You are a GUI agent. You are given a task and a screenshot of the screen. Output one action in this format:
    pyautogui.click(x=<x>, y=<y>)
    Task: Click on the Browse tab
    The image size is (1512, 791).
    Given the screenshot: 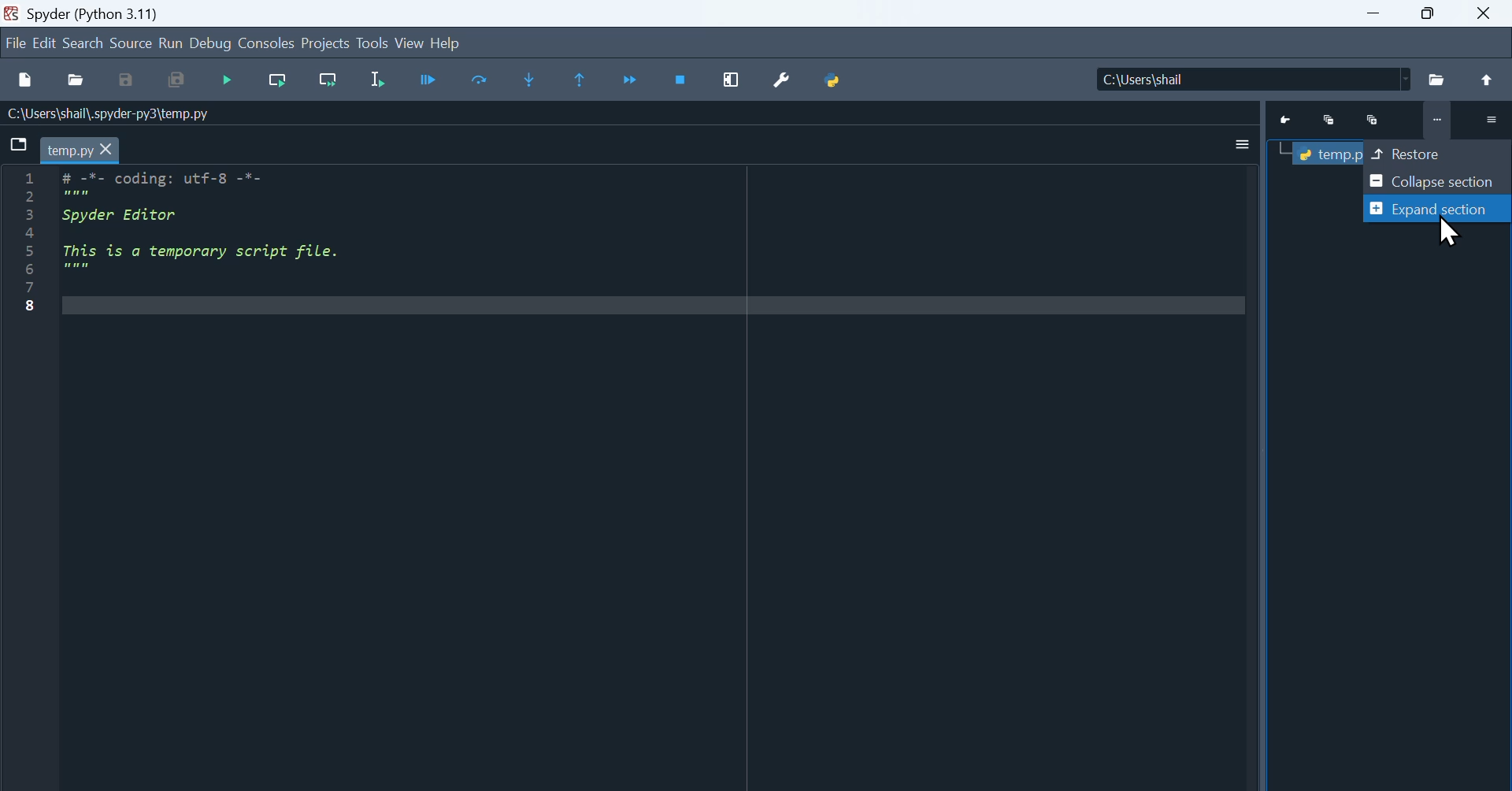 What is the action you would take?
    pyautogui.click(x=19, y=143)
    